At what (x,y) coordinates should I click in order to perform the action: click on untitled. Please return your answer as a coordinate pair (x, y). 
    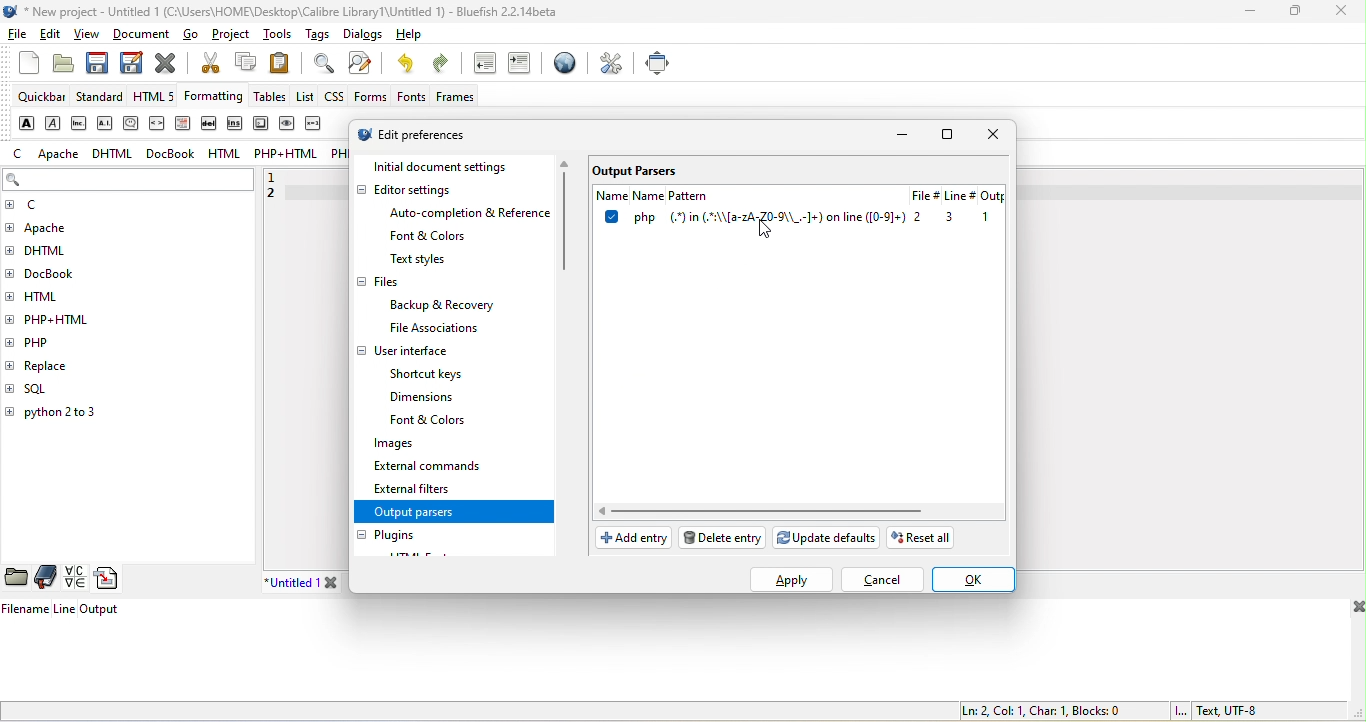
    Looking at the image, I should click on (317, 582).